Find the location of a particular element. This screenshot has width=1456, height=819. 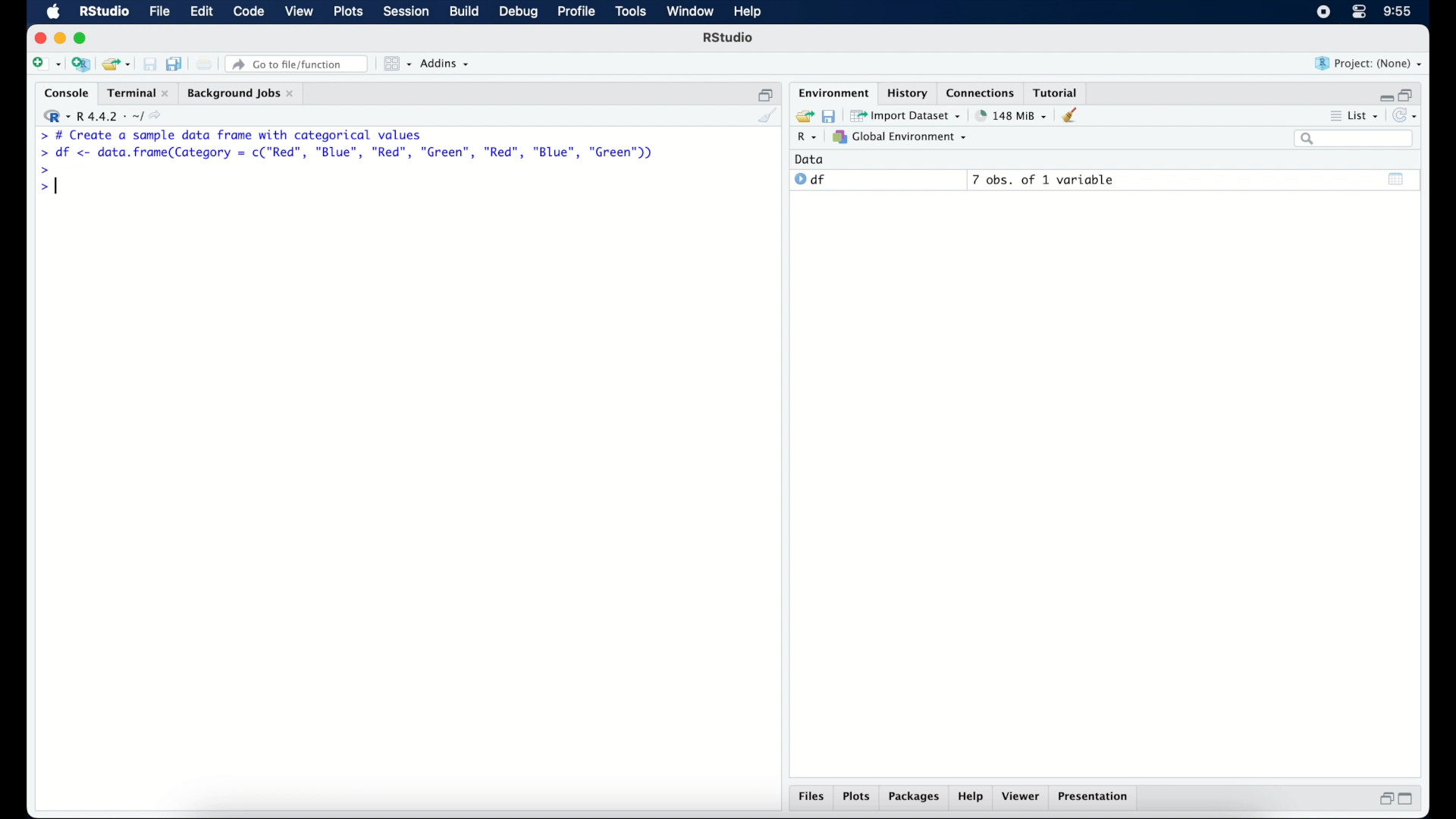

search bar is located at coordinates (1355, 140).